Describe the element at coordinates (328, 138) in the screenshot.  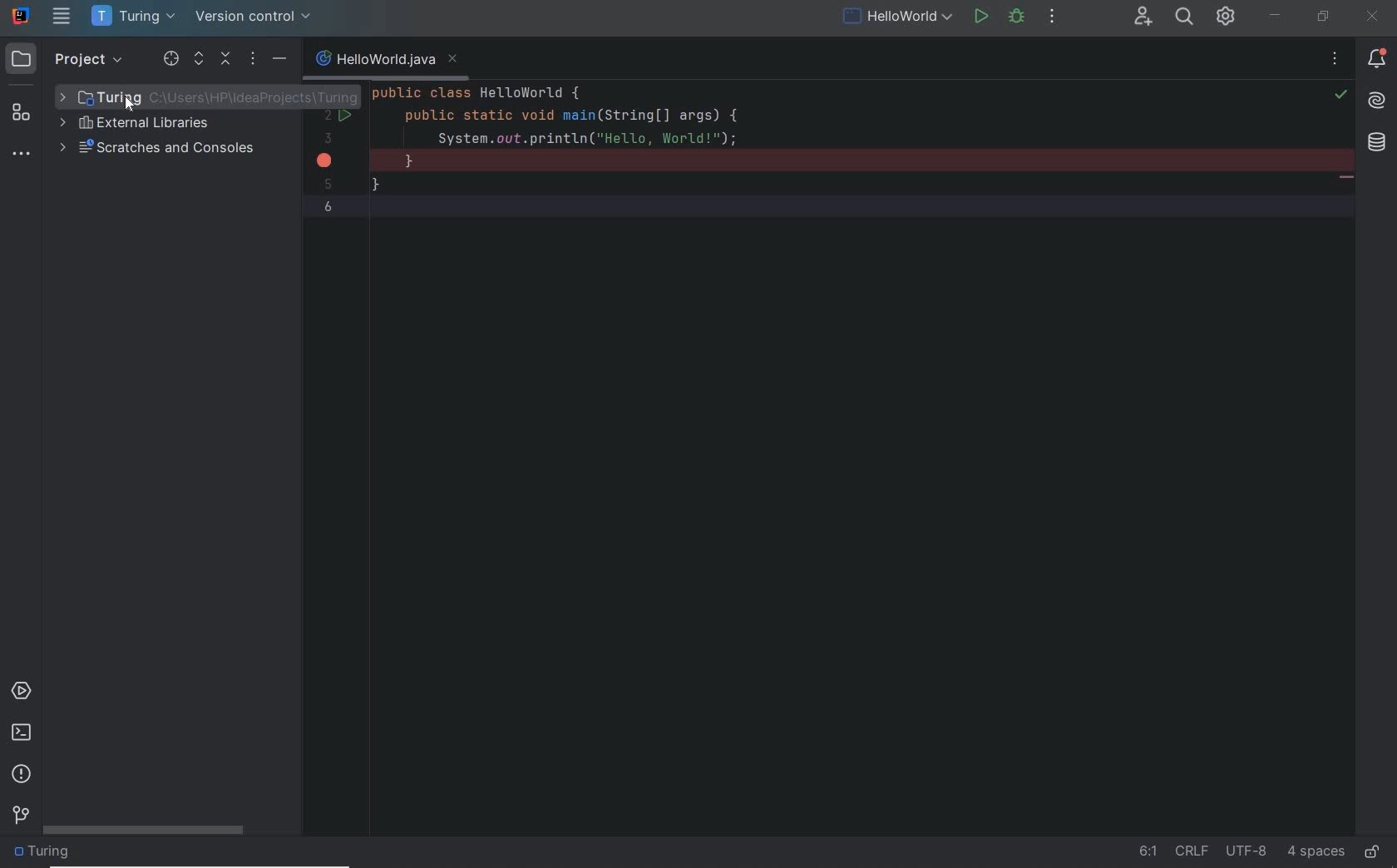
I see `3` at that location.